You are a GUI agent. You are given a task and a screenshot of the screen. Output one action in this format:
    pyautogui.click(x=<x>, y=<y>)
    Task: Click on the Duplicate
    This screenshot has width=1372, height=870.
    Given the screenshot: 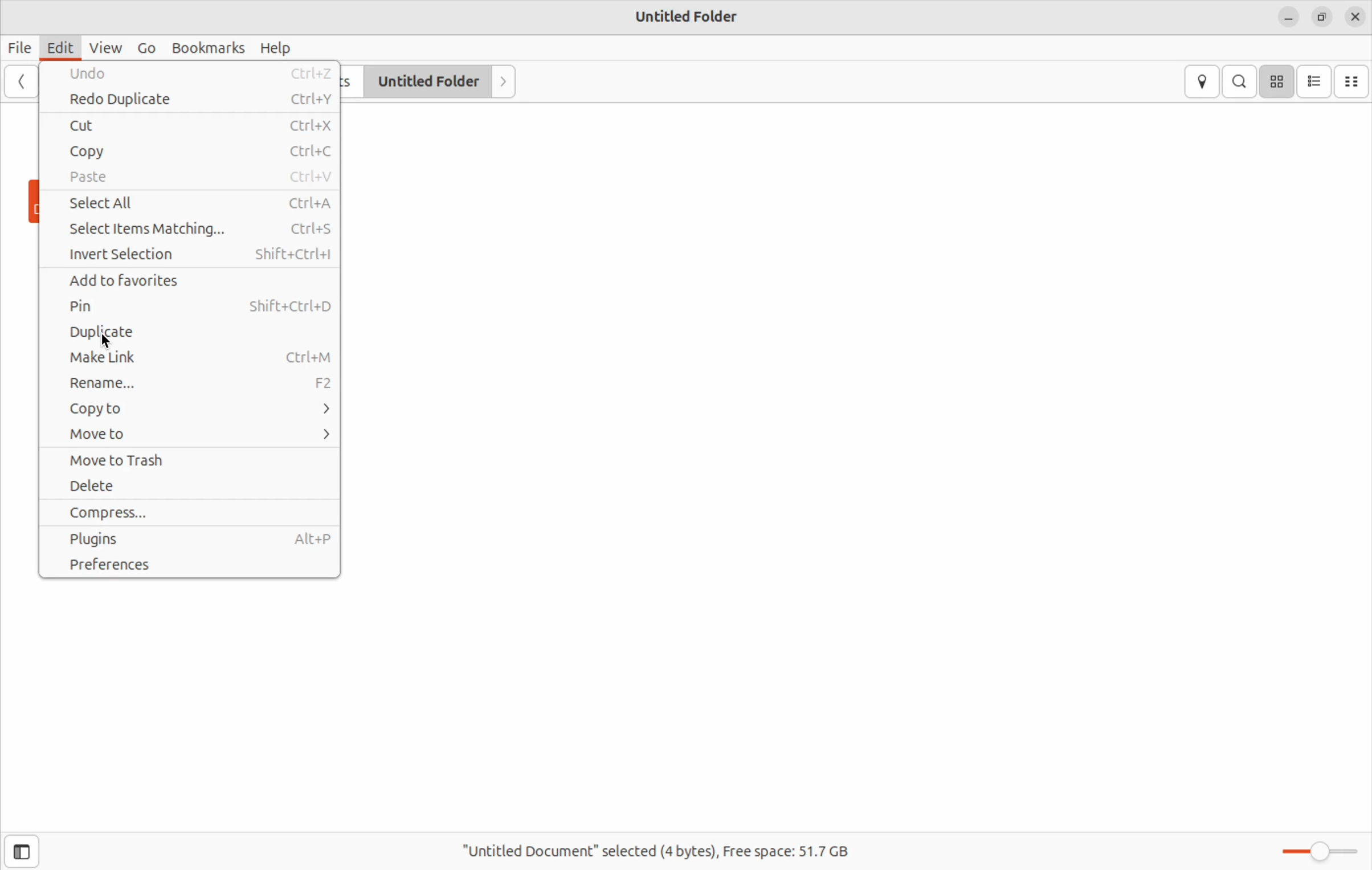 What is the action you would take?
    pyautogui.click(x=187, y=335)
    